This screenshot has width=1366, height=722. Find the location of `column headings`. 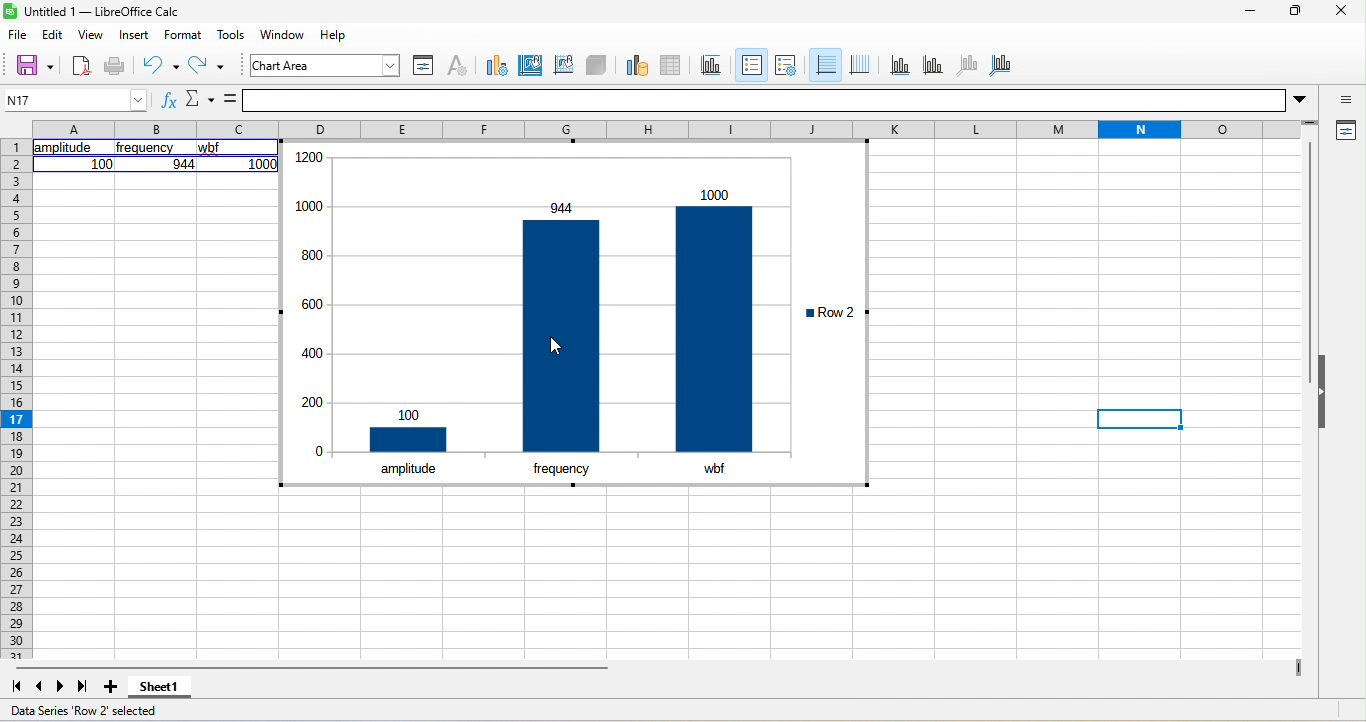

column headings is located at coordinates (679, 127).